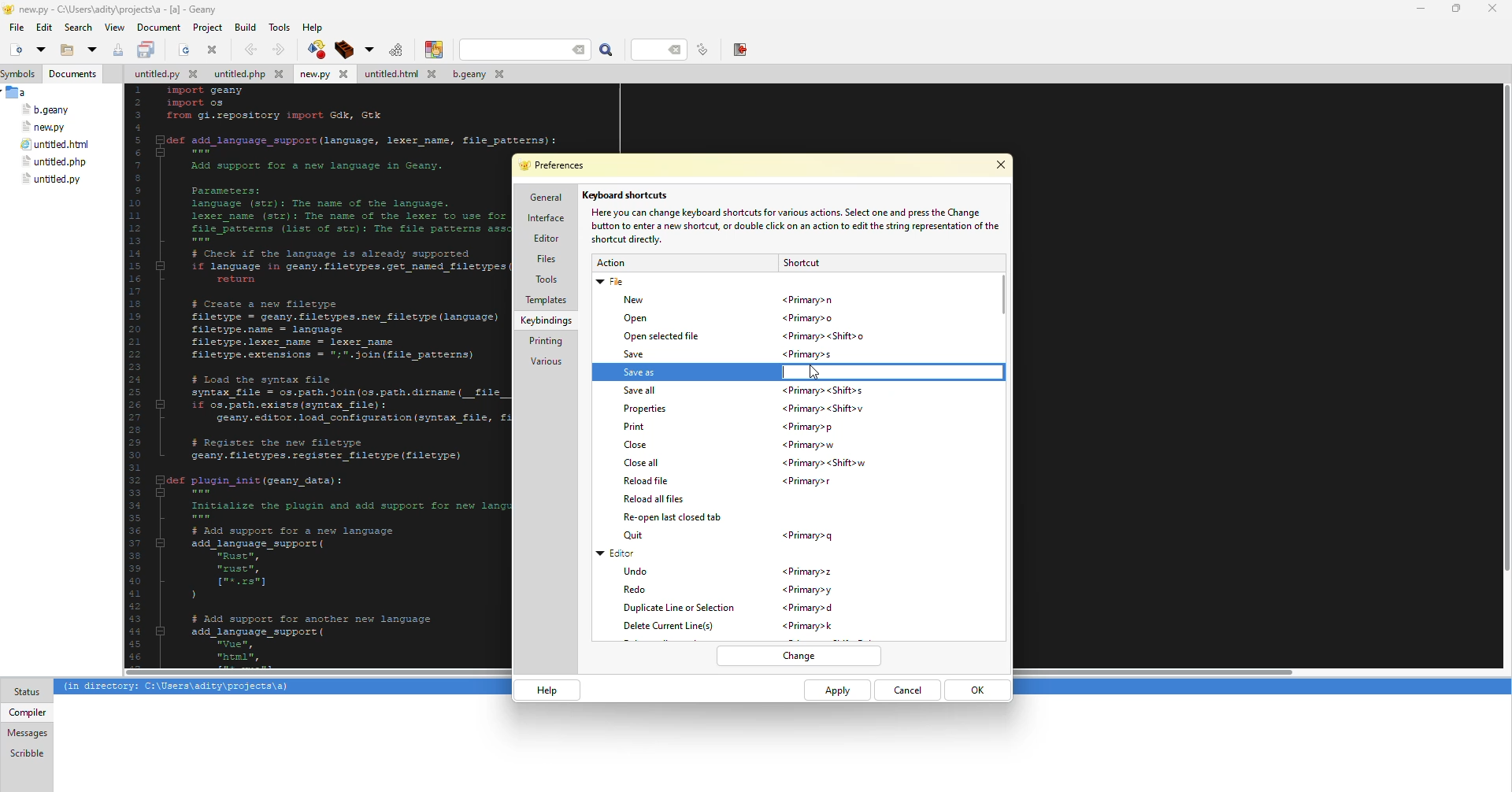  I want to click on save, so click(147, 50).